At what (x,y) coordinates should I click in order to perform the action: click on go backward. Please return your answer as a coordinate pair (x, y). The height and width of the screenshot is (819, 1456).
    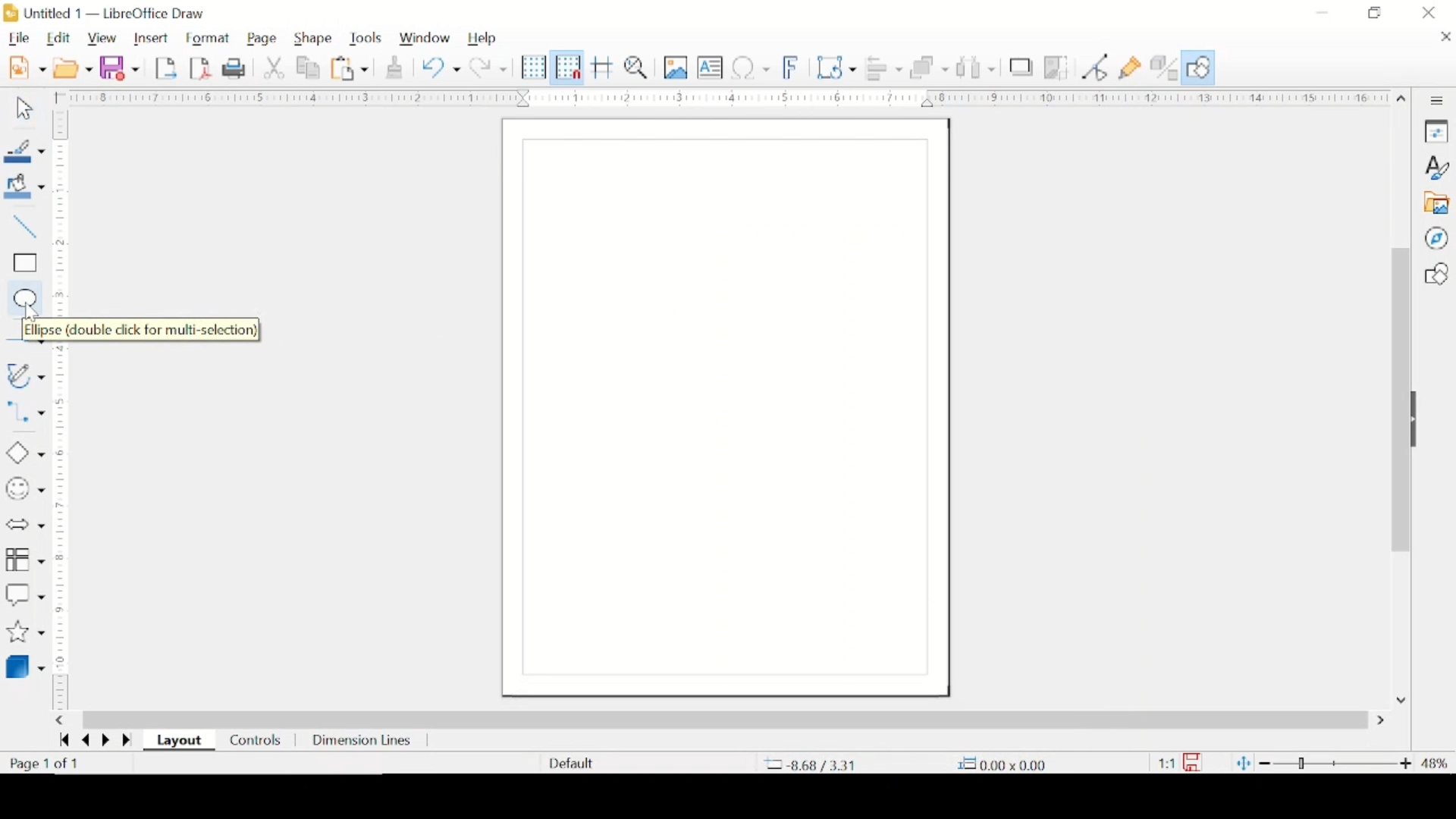
    Looking at the image, I should click on (61, 742).